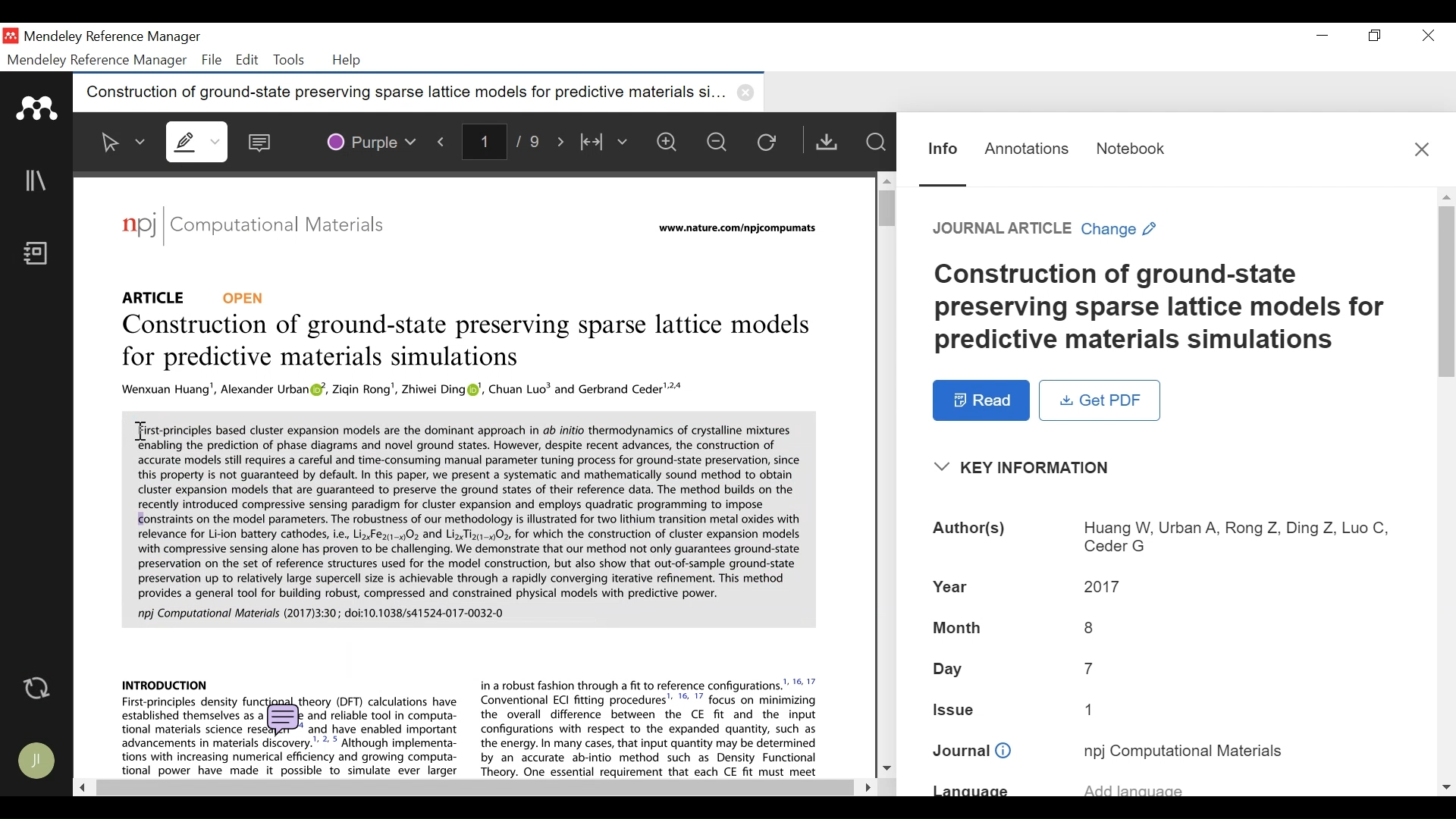  I want to click on Avatar, so click(38, 761).